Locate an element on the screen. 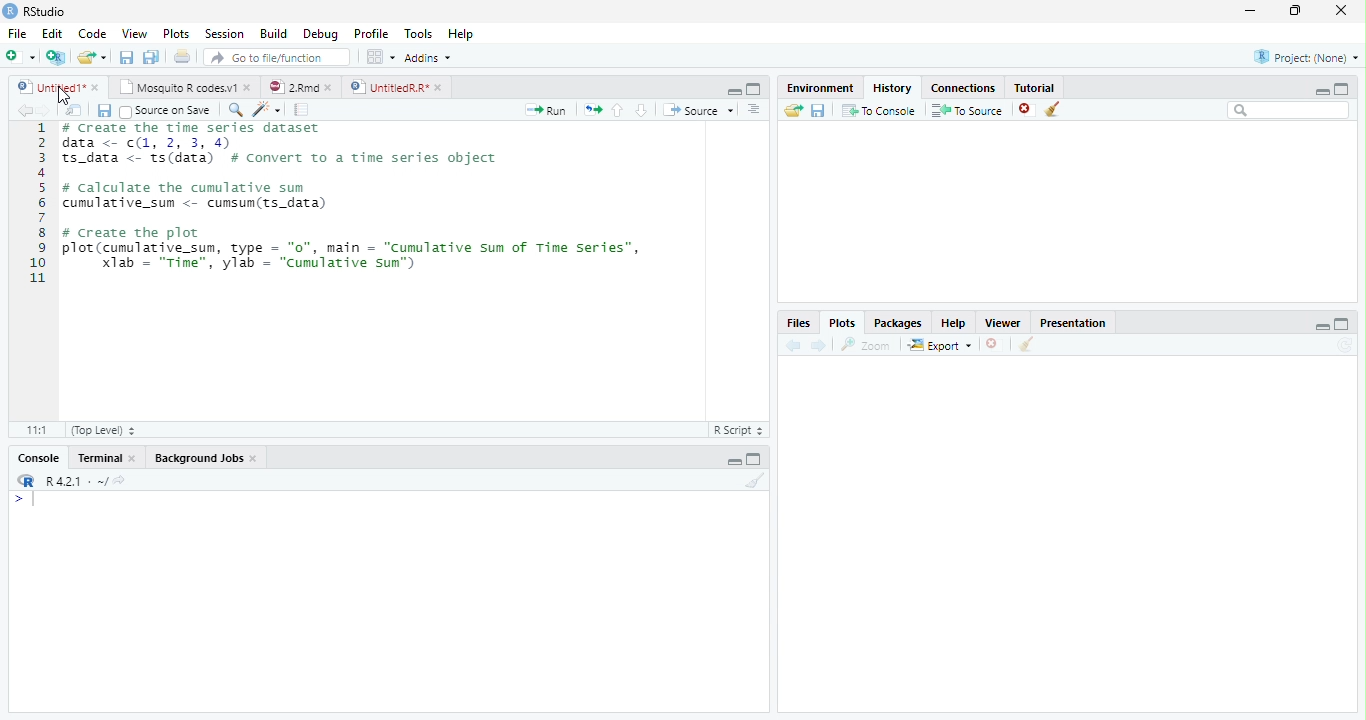 The width and height of the screenshot is (1366, 720). Mosquito R codes is located at coordinates (187, 86).